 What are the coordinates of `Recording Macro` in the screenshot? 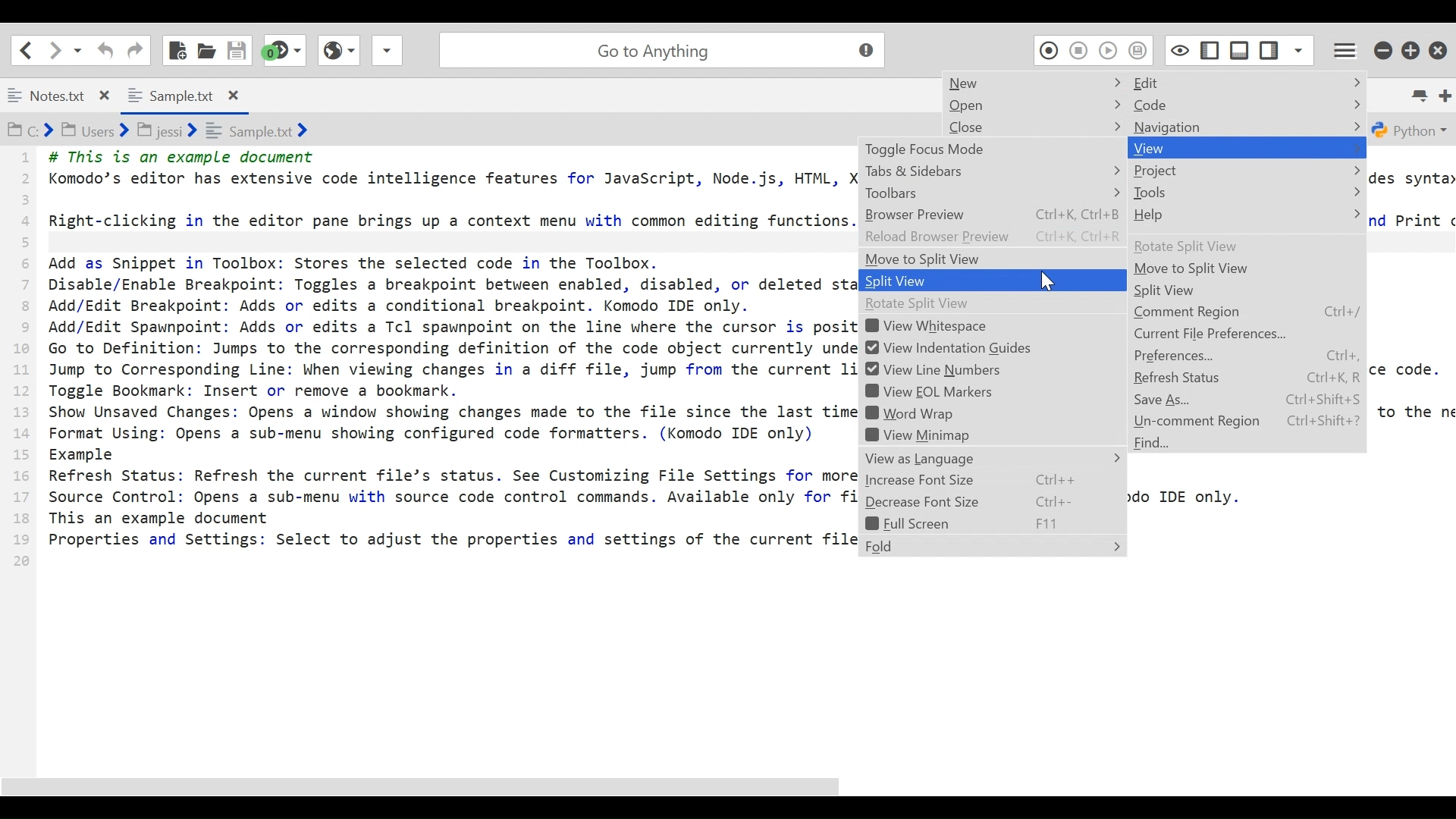 It's located at (1047, 50).